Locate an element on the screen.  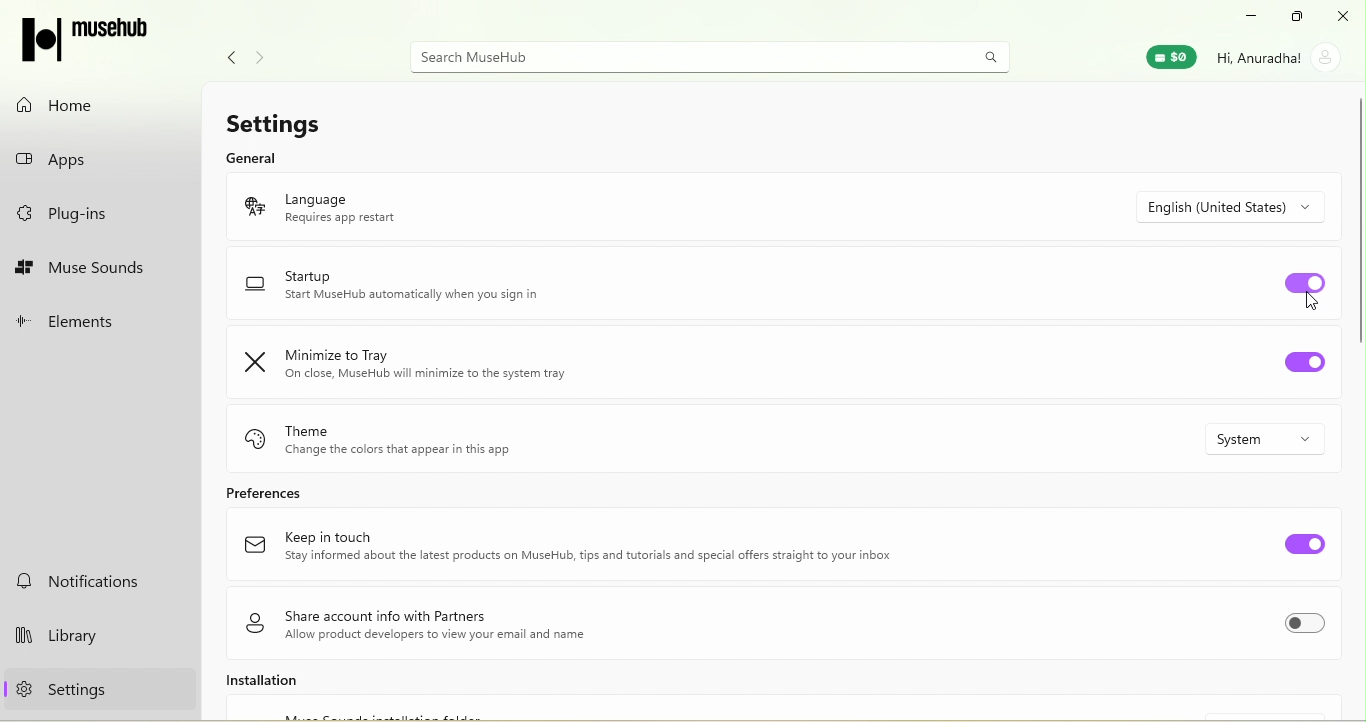
close is located at coordinates (1344, 16).